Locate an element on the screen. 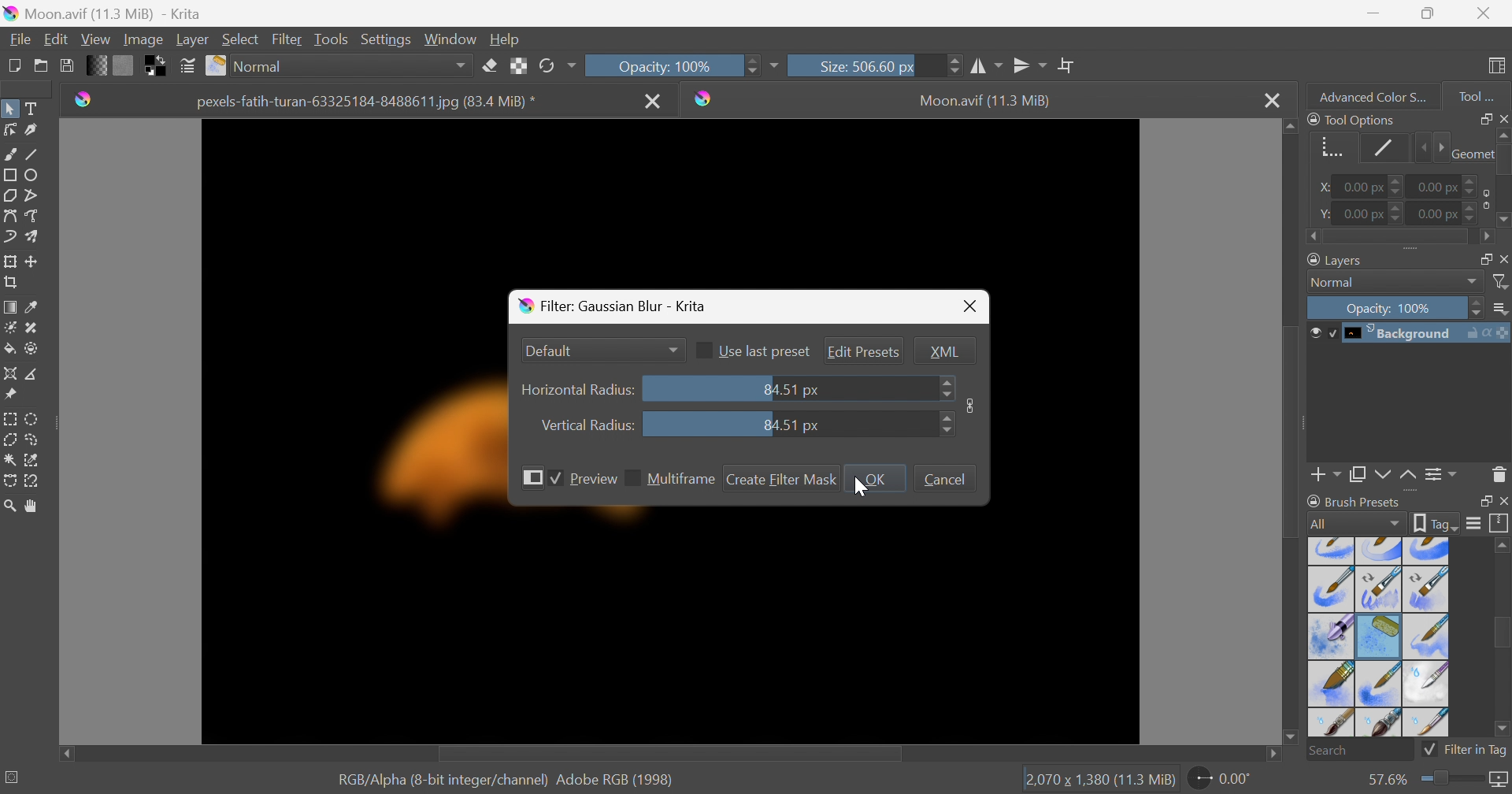 The image size is (1512, 794). Size: 506.60 px is located at coordinates (875, 65).